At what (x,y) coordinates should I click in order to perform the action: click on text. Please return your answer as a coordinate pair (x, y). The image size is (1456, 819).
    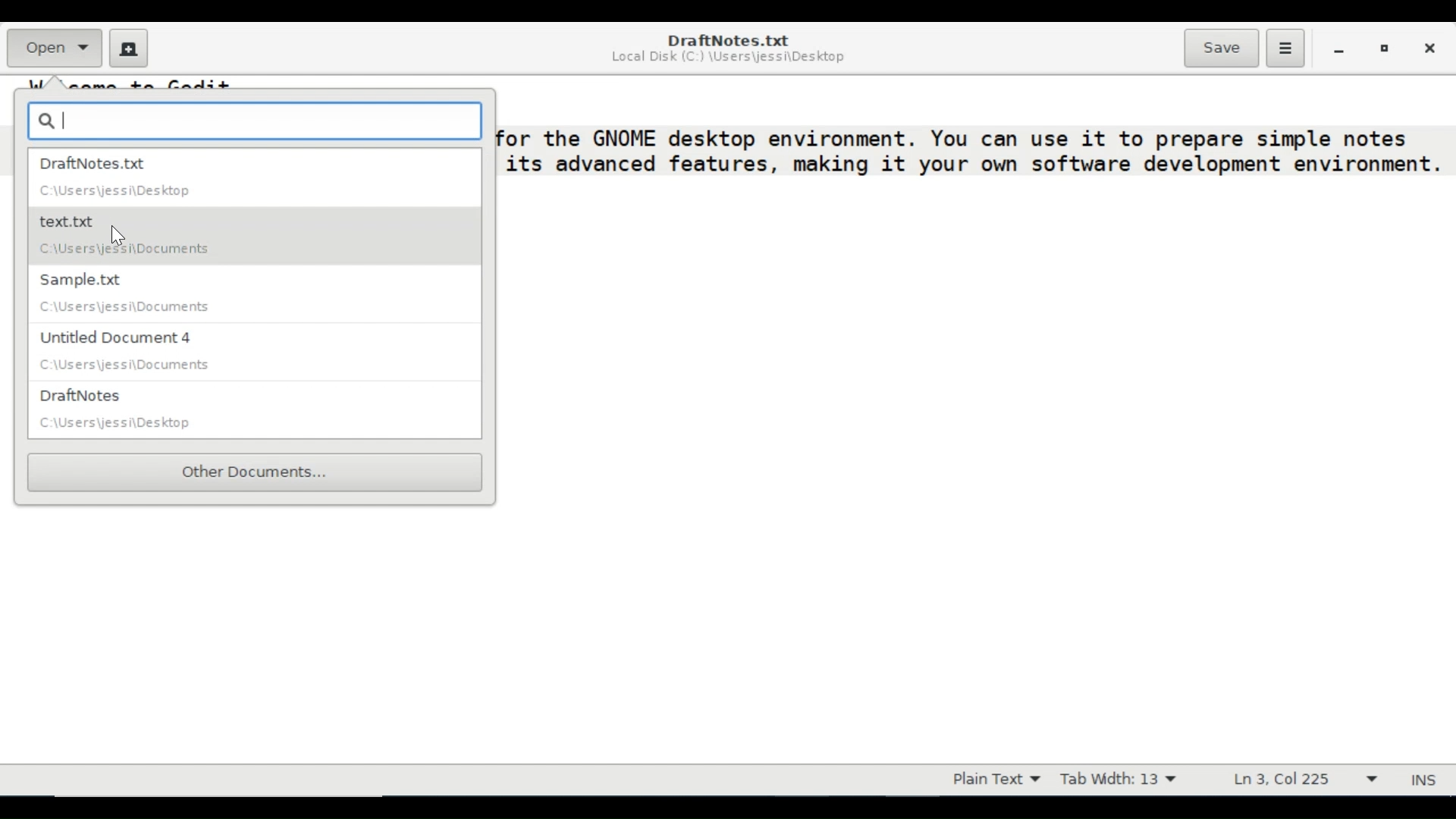
    Looking at the image, I should click on (972, 165).